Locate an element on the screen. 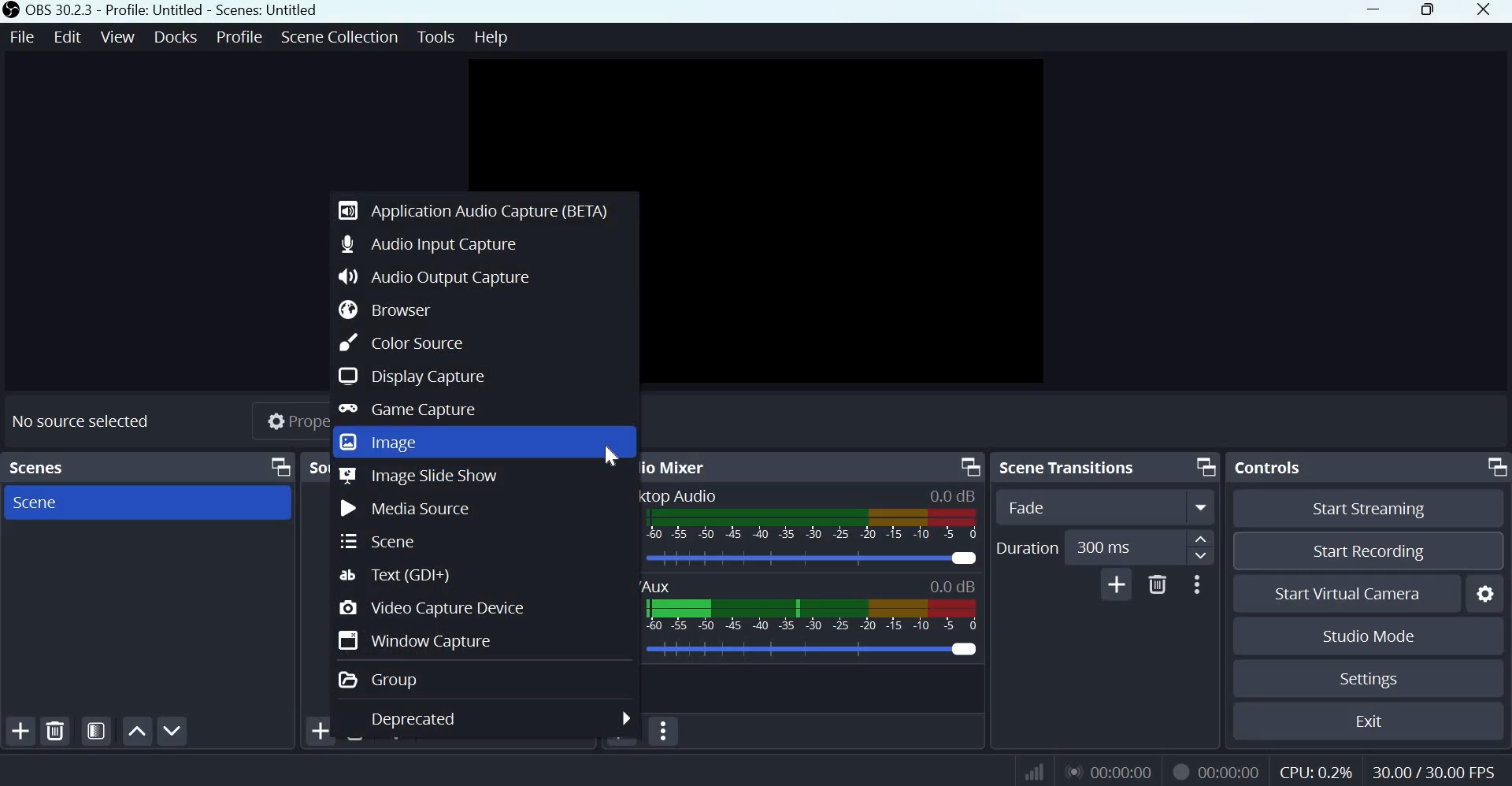  Add Transition  is located at coordinates (1117, 584).